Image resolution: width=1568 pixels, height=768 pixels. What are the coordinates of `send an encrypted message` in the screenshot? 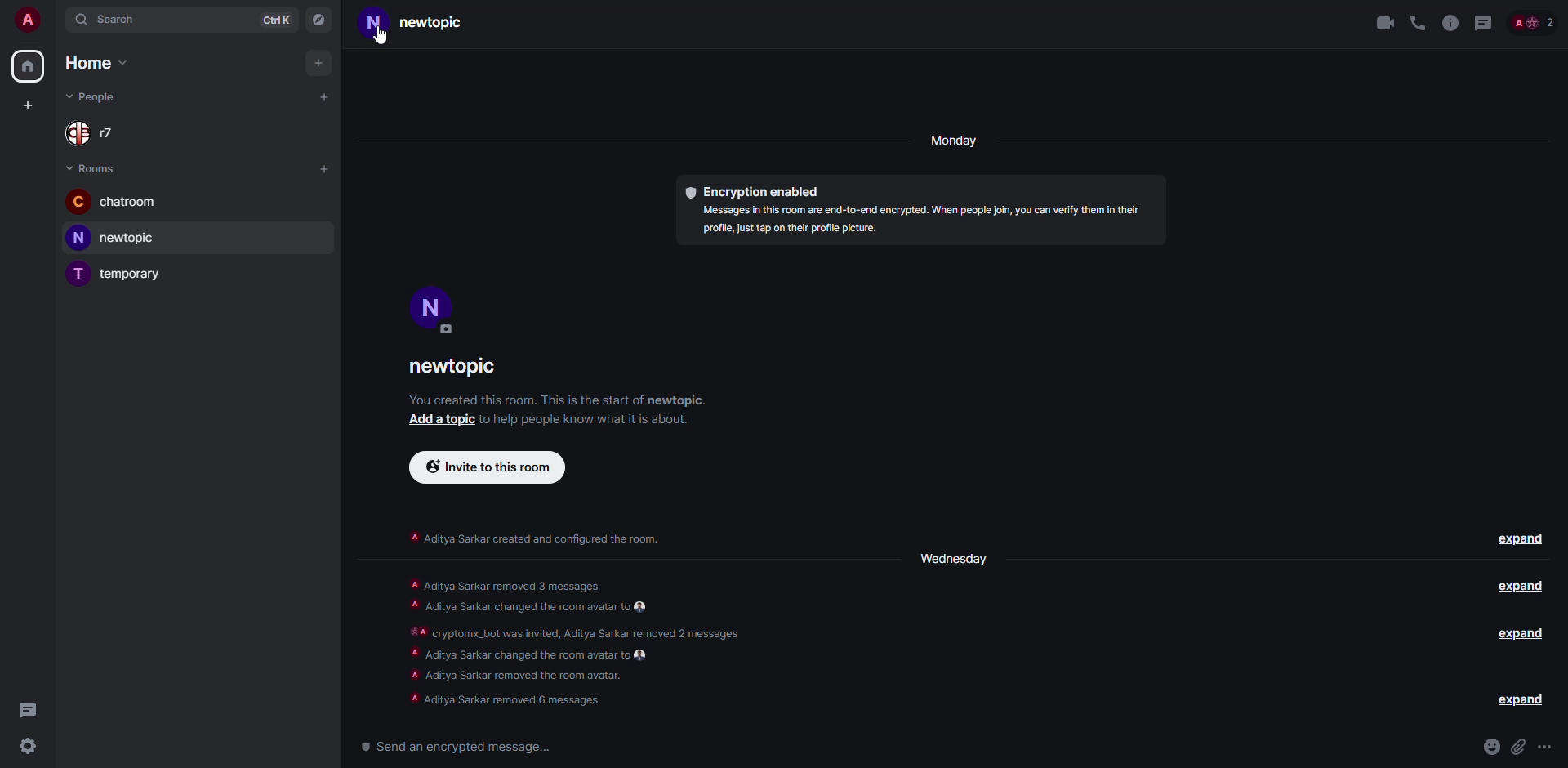 It's located at (466, 748).